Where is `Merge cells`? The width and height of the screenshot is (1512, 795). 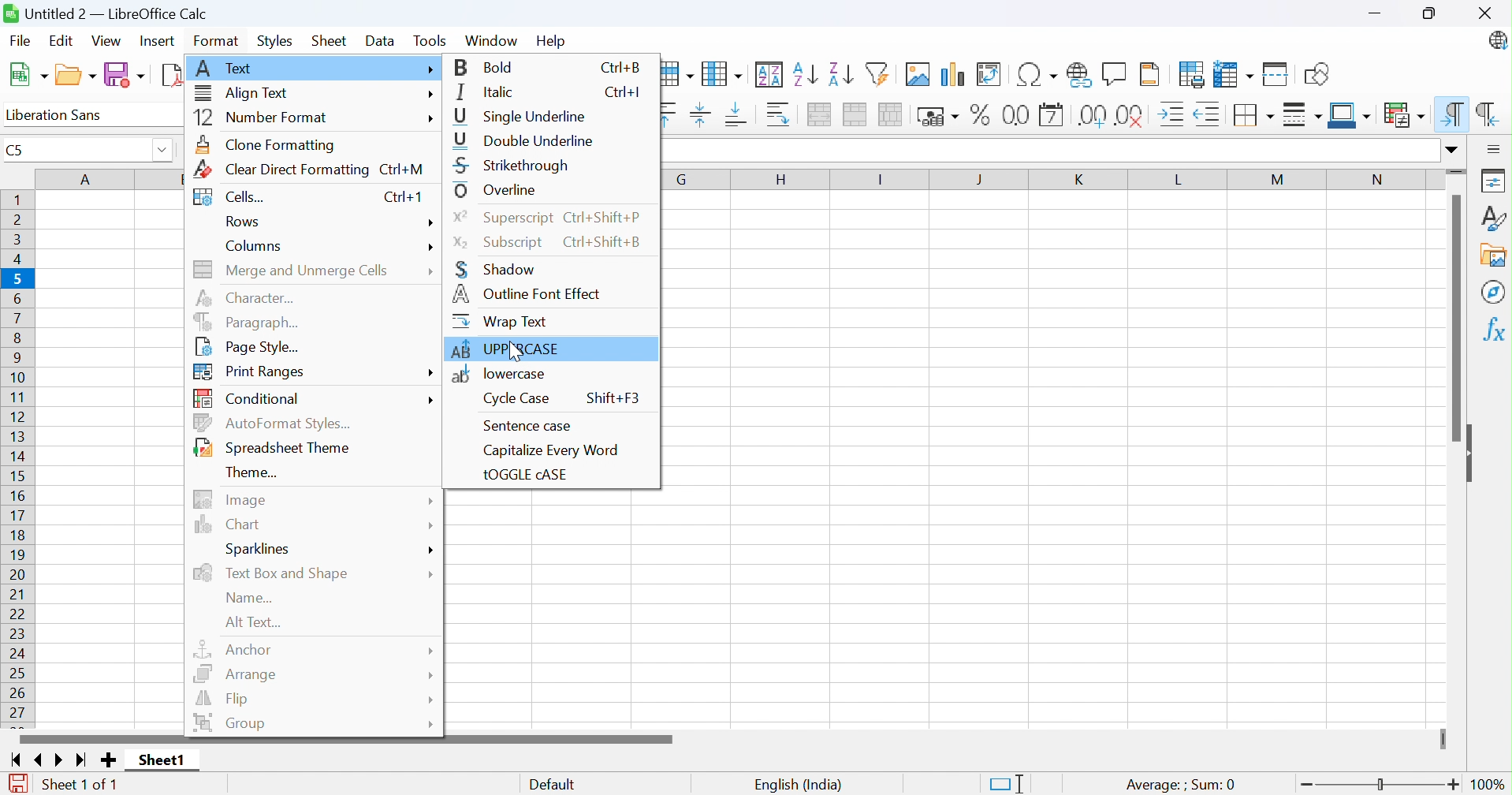 Merge cells is located at coordinates (855, 115).